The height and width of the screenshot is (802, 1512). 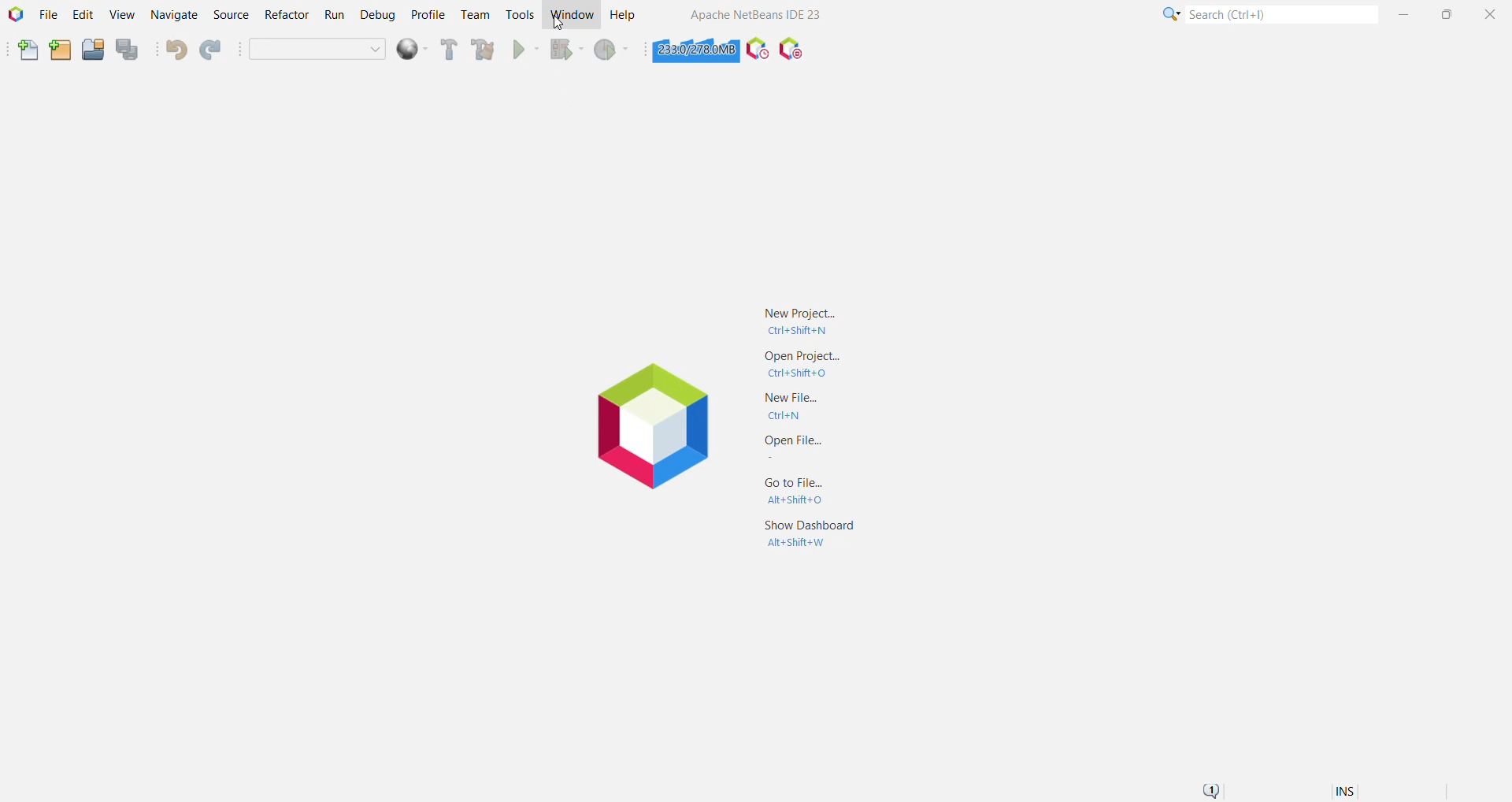 What do you see at coordinates (643, 426) in the screenshot?
I see `Application Logo` at bounding box center [643, 426].